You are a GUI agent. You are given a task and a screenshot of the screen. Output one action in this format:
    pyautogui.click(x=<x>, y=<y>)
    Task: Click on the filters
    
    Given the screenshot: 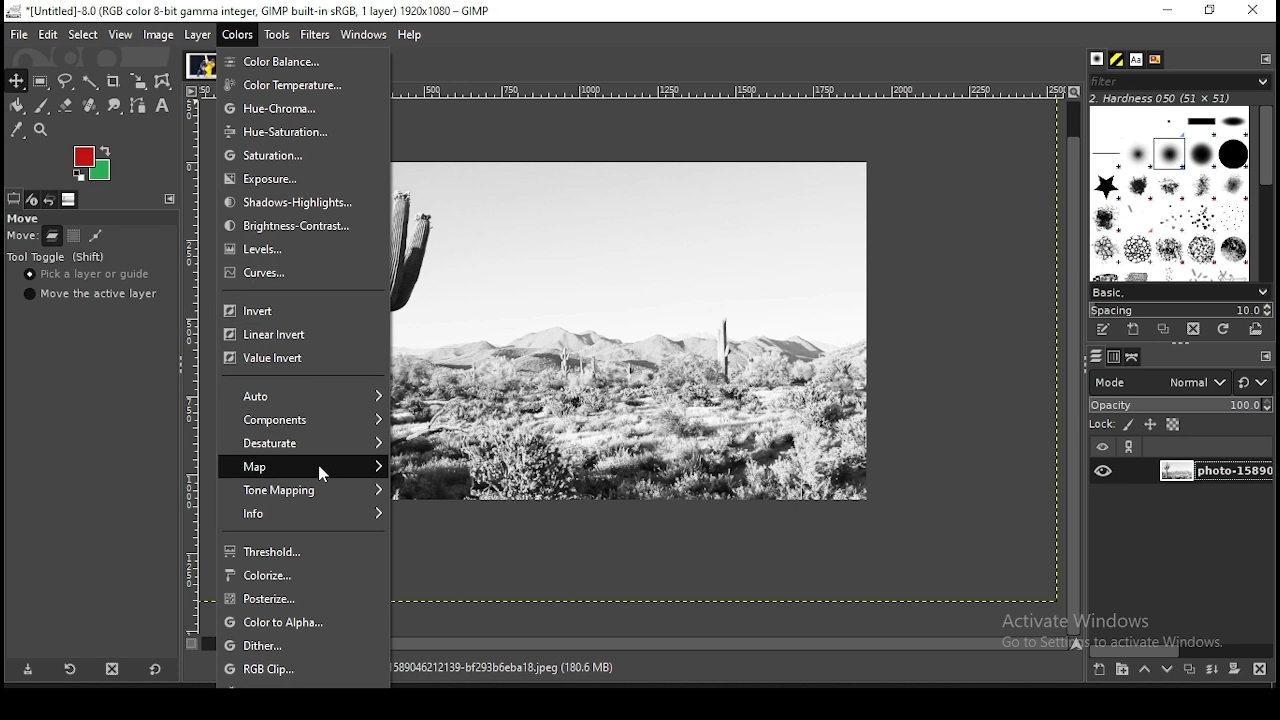 What is the action you would take?
    pyautogui.click(x=316, y=37)
    